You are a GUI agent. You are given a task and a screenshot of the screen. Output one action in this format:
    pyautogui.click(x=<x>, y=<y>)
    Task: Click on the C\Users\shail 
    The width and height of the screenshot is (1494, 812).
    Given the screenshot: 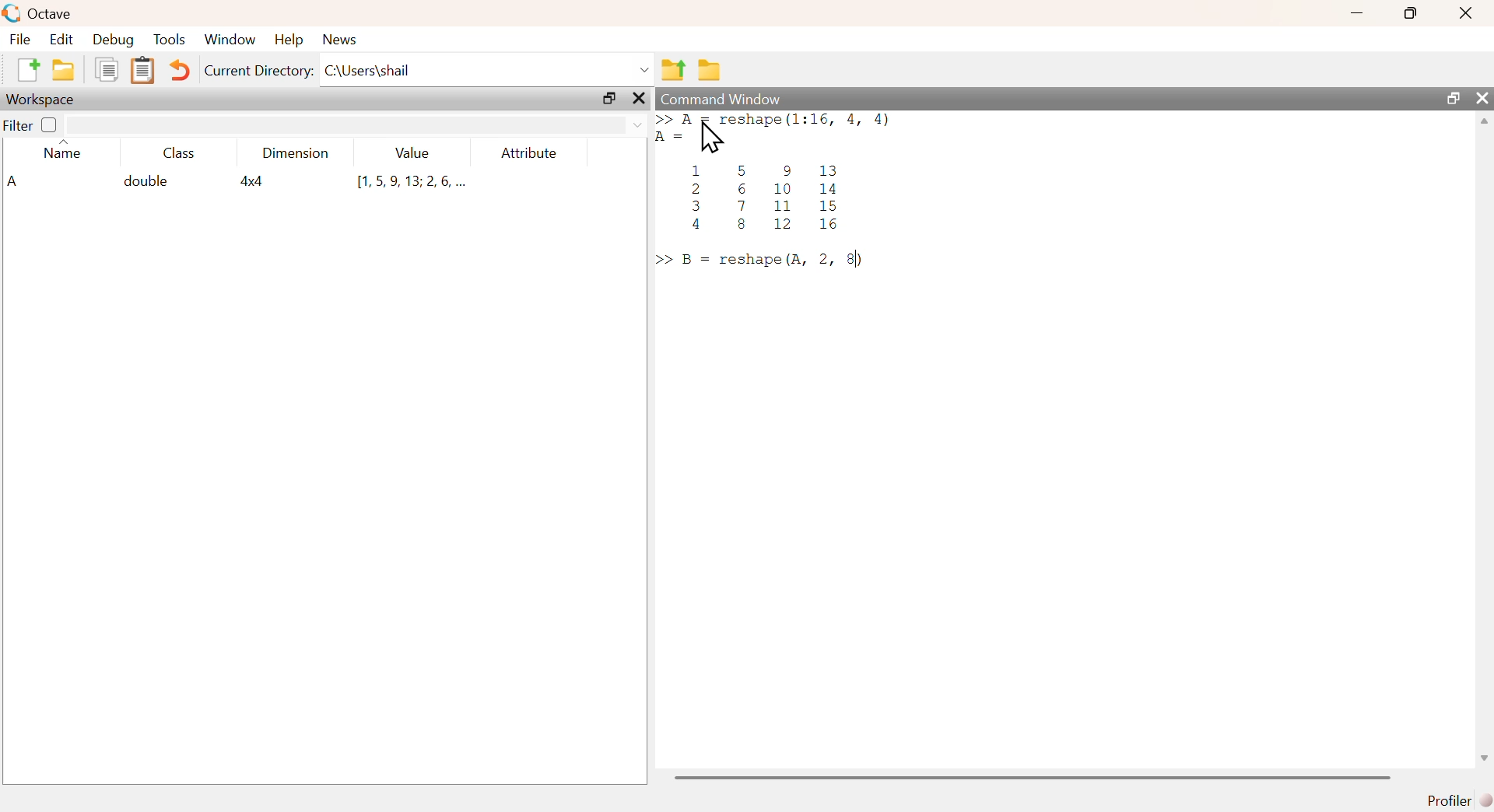 What is the action you would take?
    pyautogui.click(x=488, y=69)
    